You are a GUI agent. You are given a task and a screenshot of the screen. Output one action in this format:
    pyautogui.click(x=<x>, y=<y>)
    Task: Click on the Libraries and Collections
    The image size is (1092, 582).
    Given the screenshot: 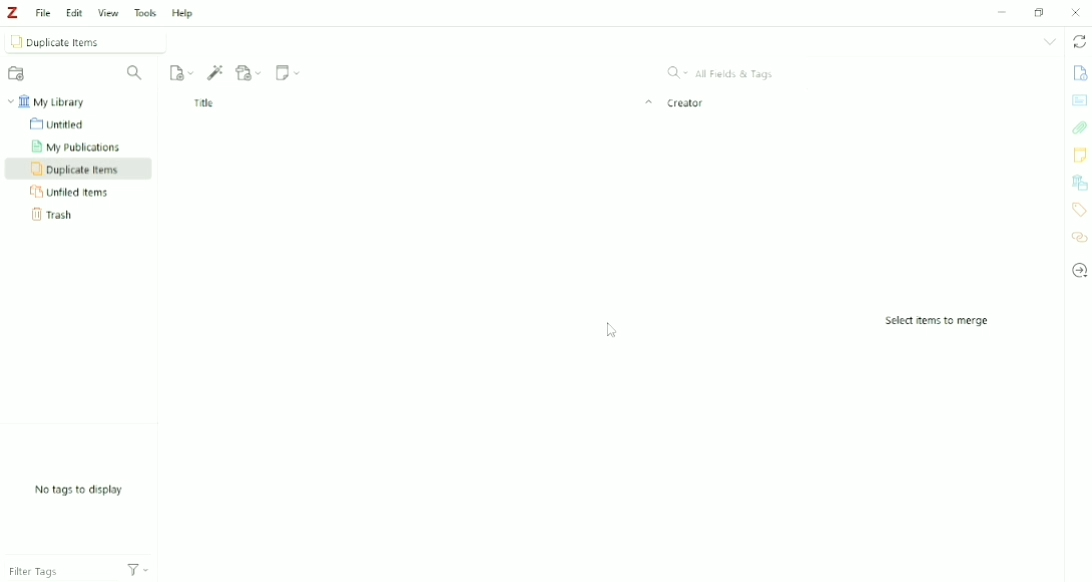 What is the action you would take?
    pyautogui.click(x=1080, y=181)
    